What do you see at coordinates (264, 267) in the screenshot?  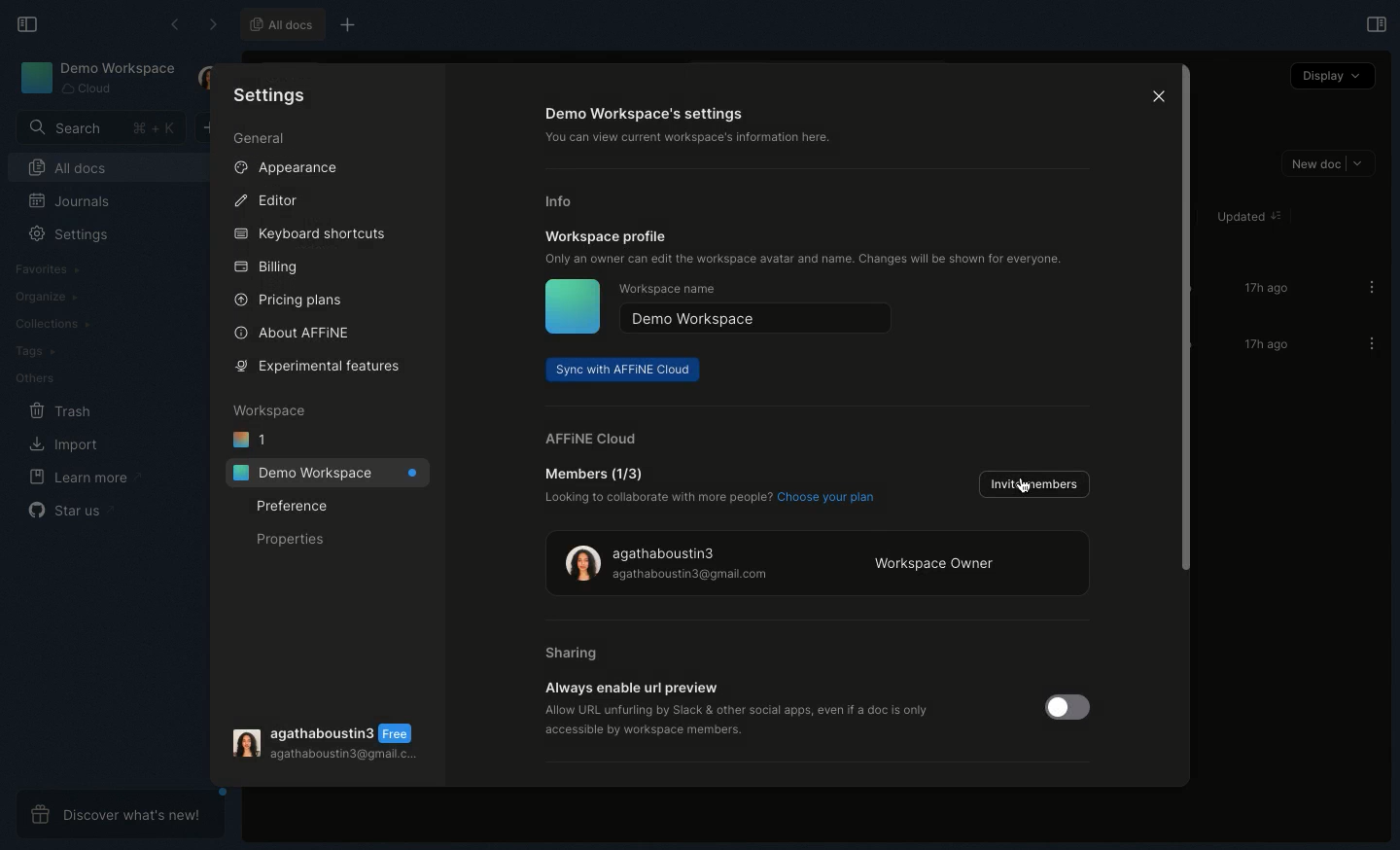 I see `Billing` at bounding box center [264, 267].